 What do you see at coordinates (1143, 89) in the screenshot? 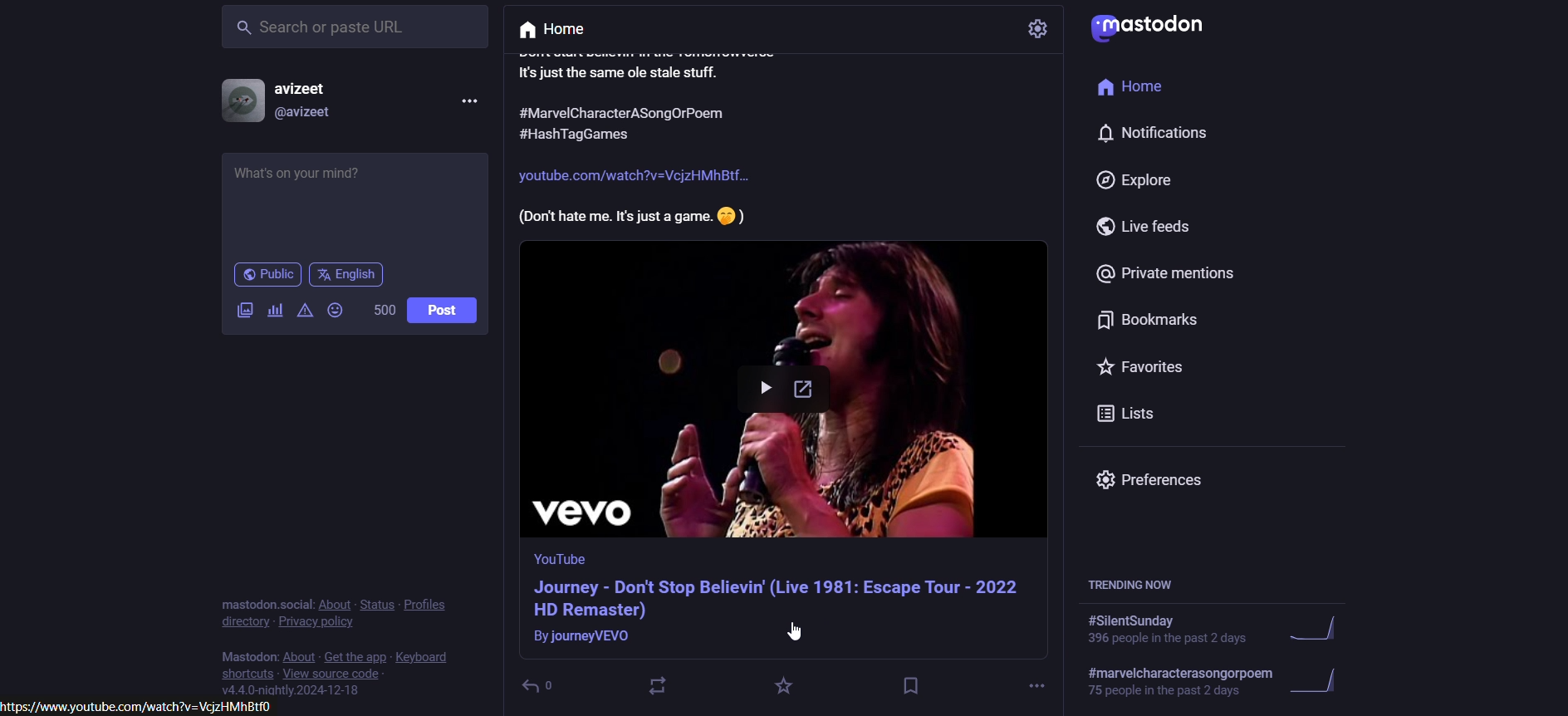
I see `home` at bounding box center [1143, 89].